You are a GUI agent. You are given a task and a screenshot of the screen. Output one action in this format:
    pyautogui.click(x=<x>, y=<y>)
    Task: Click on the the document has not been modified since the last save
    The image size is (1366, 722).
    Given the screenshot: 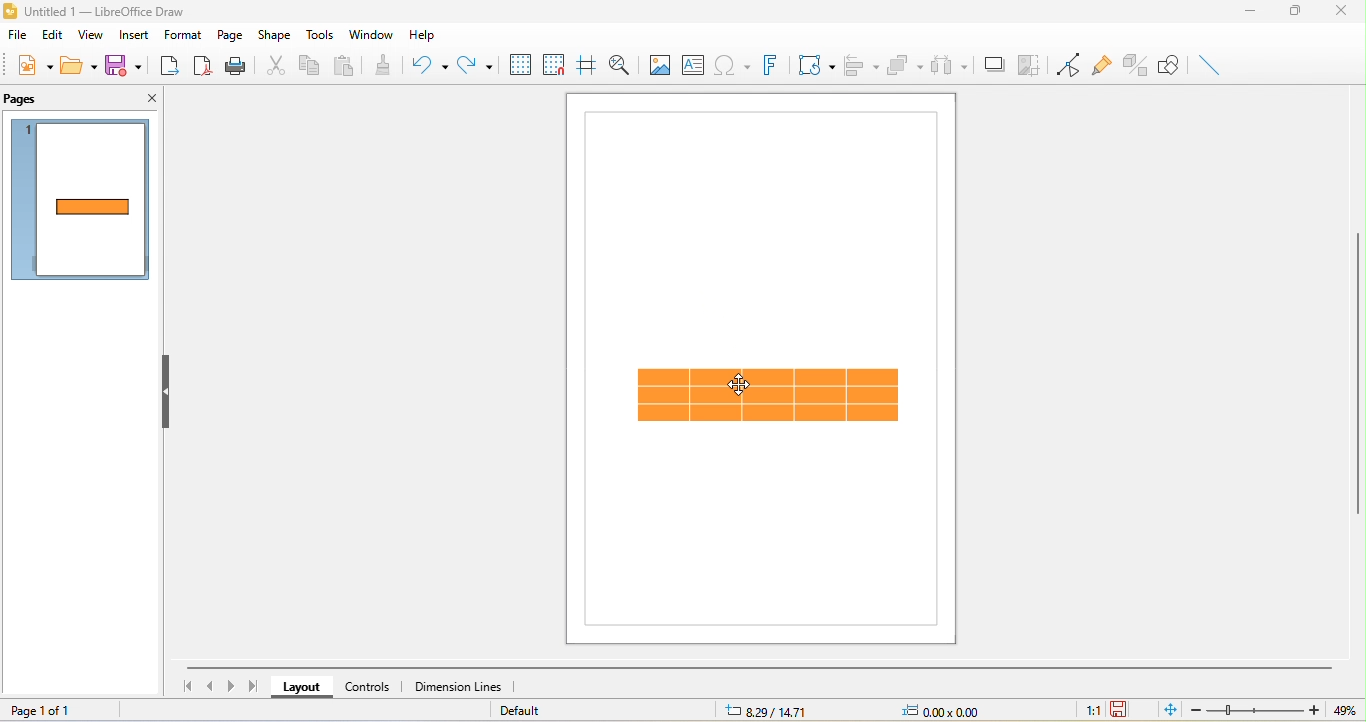 What is the action you would take?
    pyautogui.click(x=1128, y=709)
    